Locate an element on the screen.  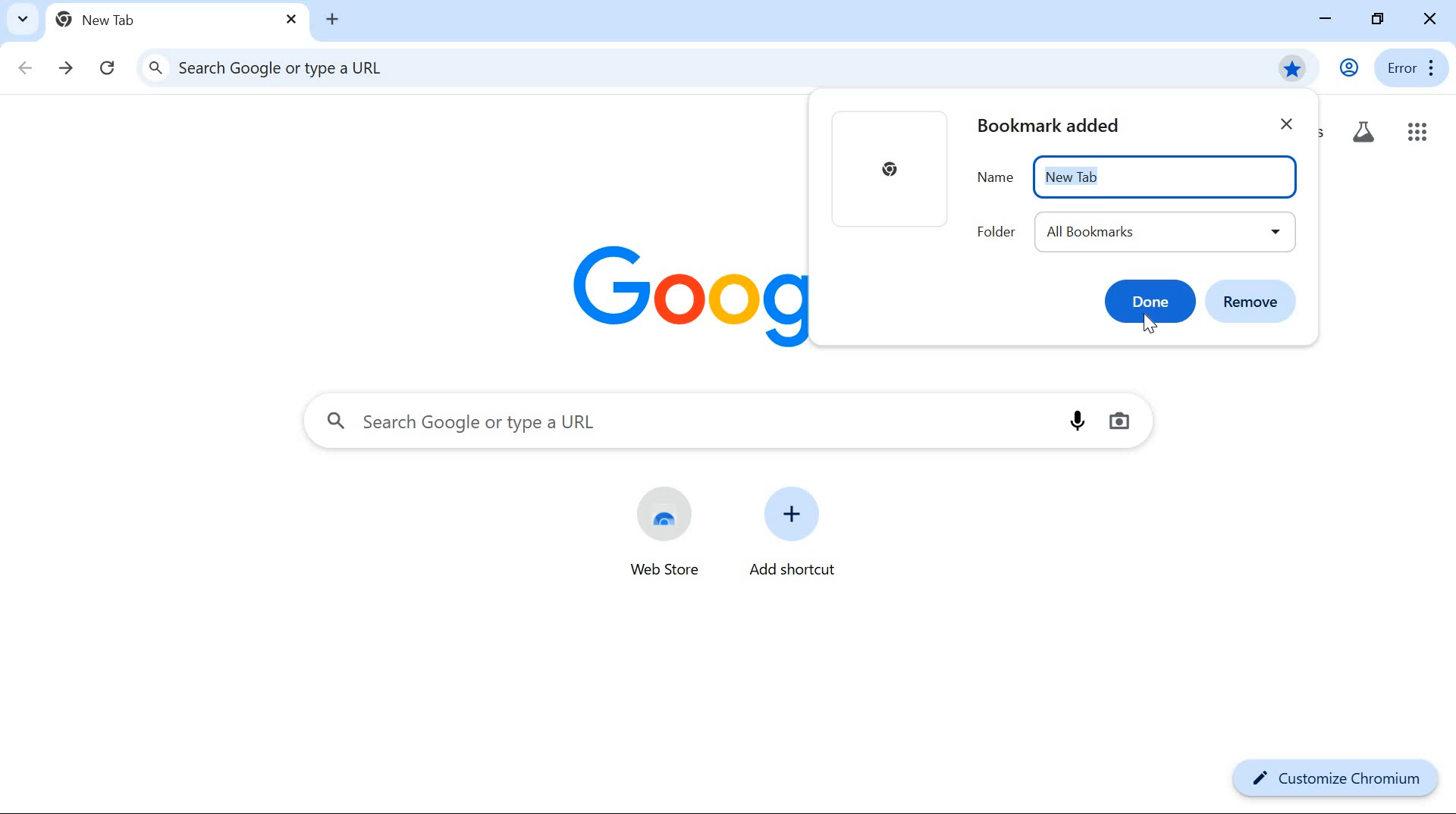
New Tab is located at coordinates (1163, 174).